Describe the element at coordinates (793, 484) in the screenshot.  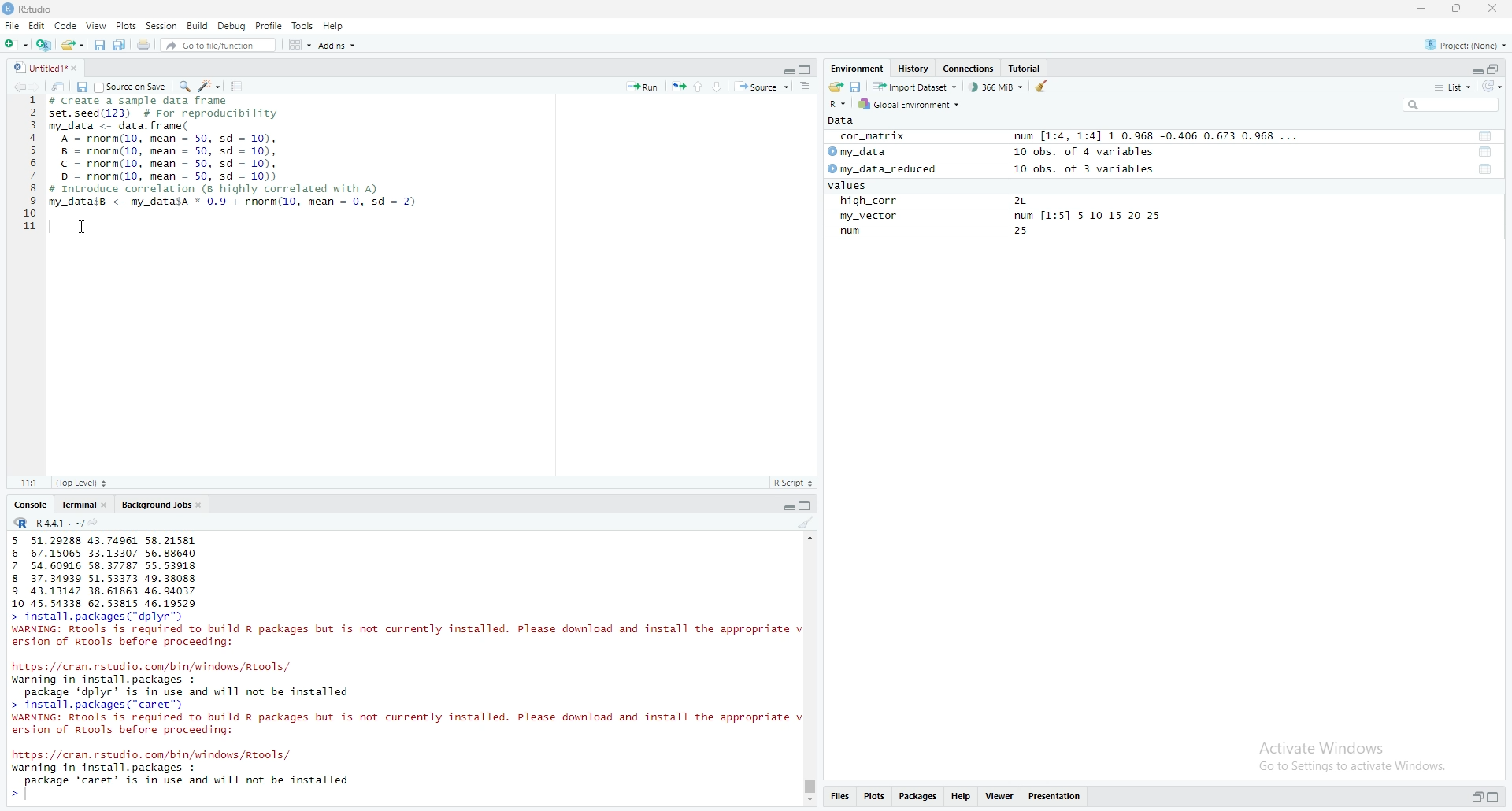
I see `R Script ` at that location.